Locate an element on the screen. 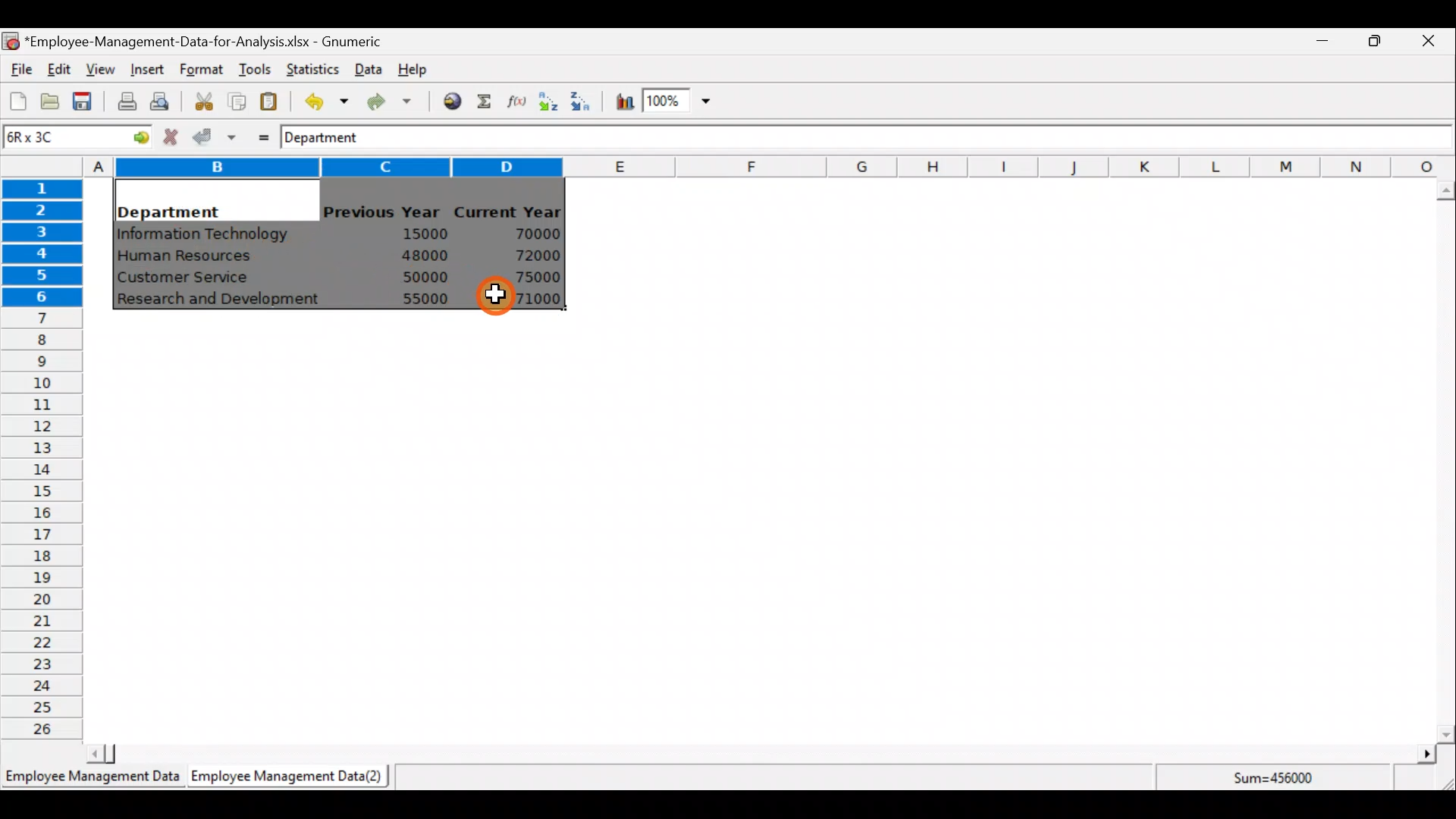 The height and width of the screenshot is (819, 1456). Close is located at coordinates (1427, 43).